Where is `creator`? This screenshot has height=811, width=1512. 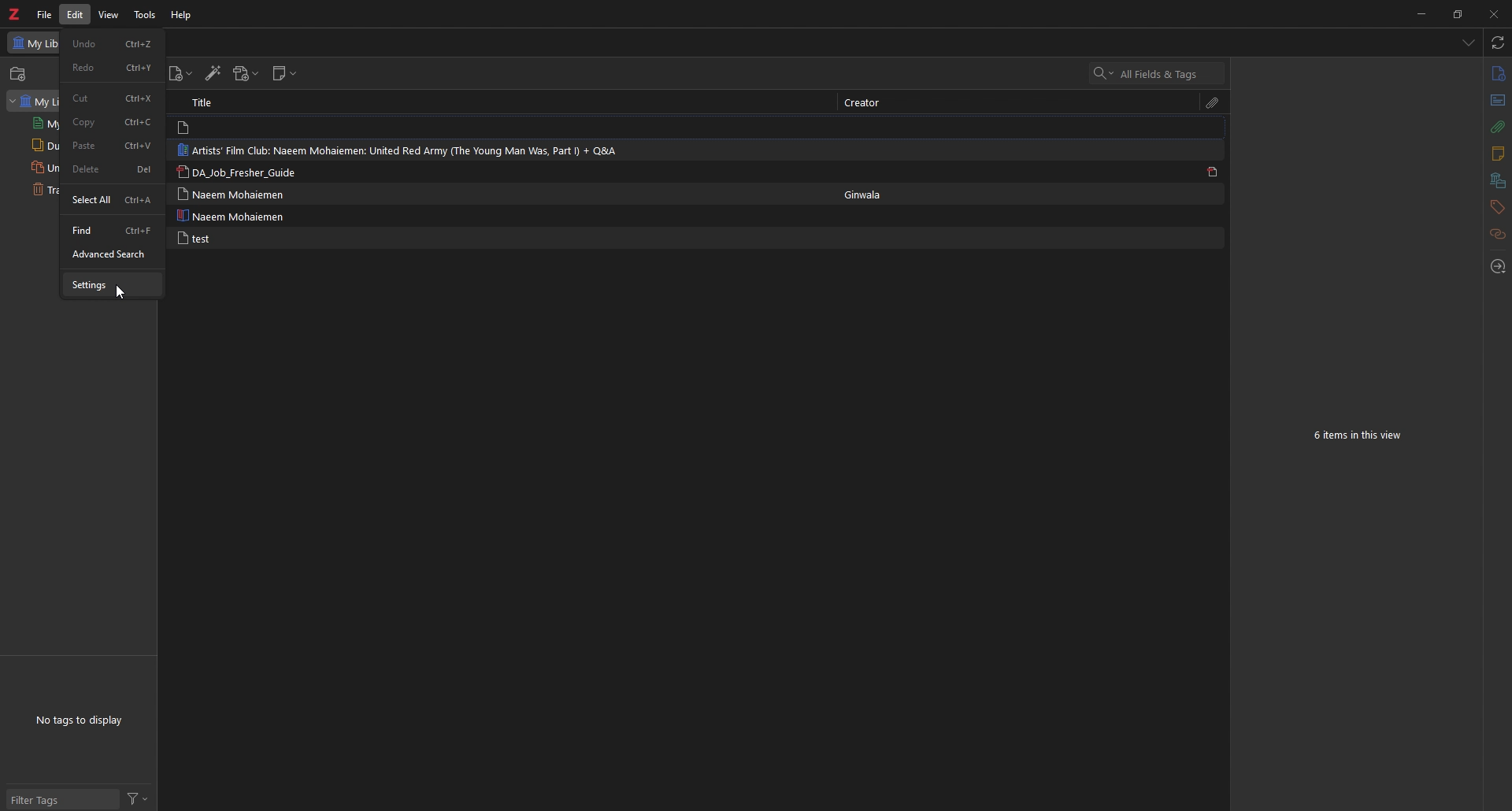
creator is located at coordinates (863, 103).